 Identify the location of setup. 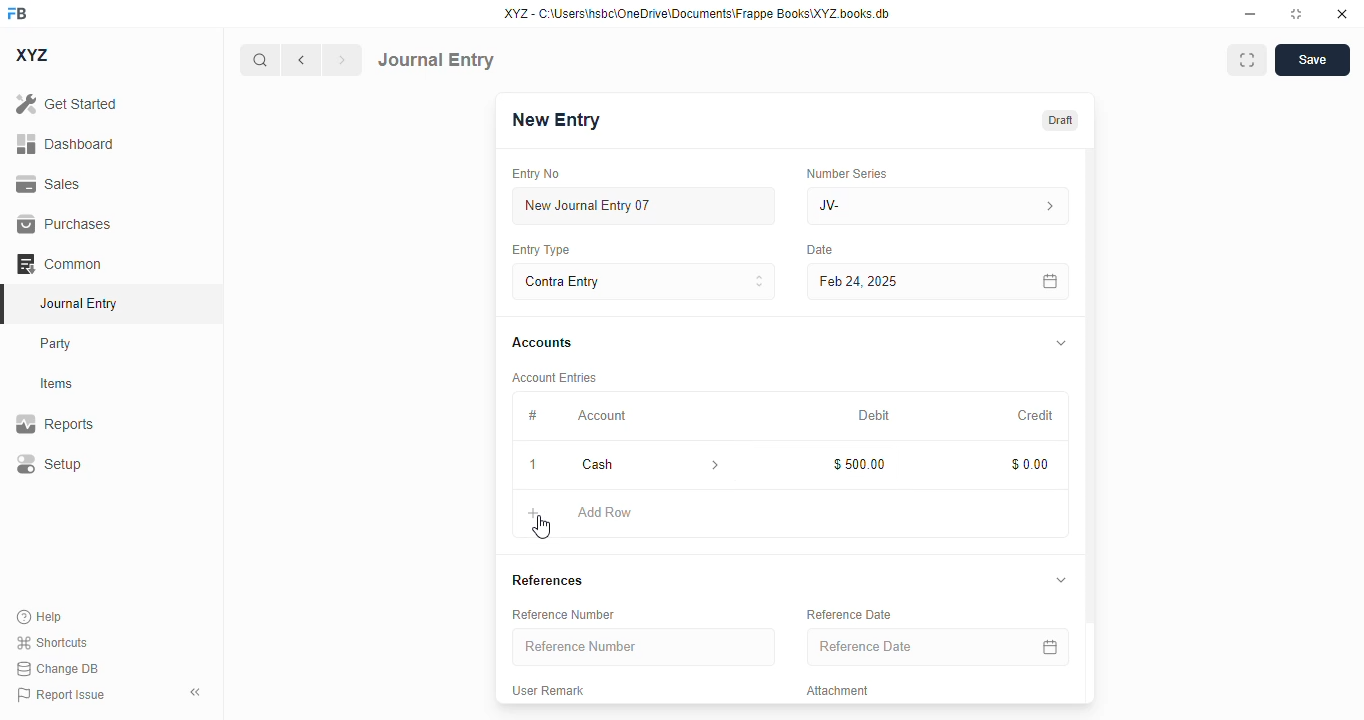
(49, 463).